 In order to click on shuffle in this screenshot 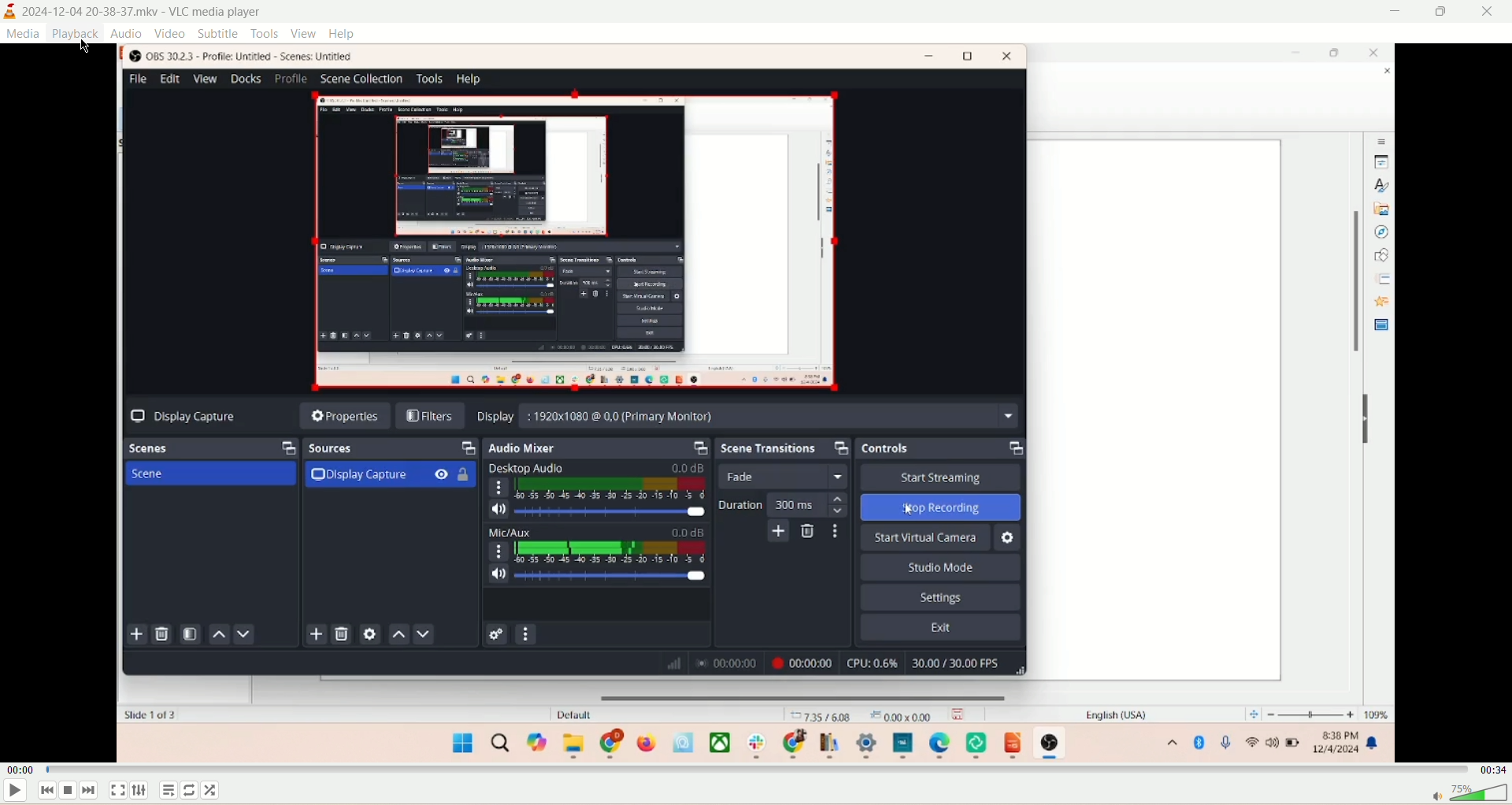, I will do `click(216, 789)`.